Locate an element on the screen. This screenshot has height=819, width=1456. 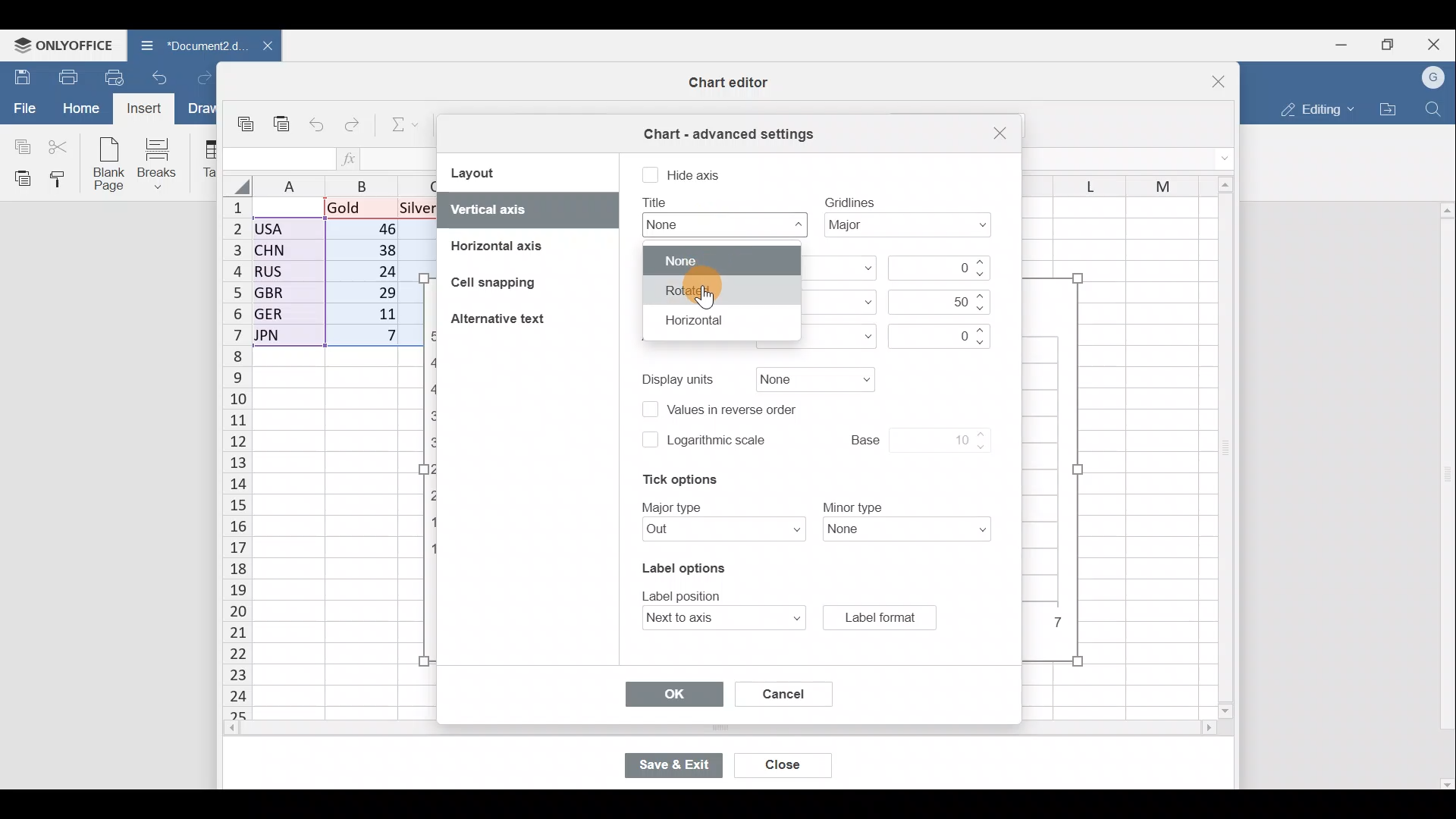
Close is located at coordinates (791, 765).